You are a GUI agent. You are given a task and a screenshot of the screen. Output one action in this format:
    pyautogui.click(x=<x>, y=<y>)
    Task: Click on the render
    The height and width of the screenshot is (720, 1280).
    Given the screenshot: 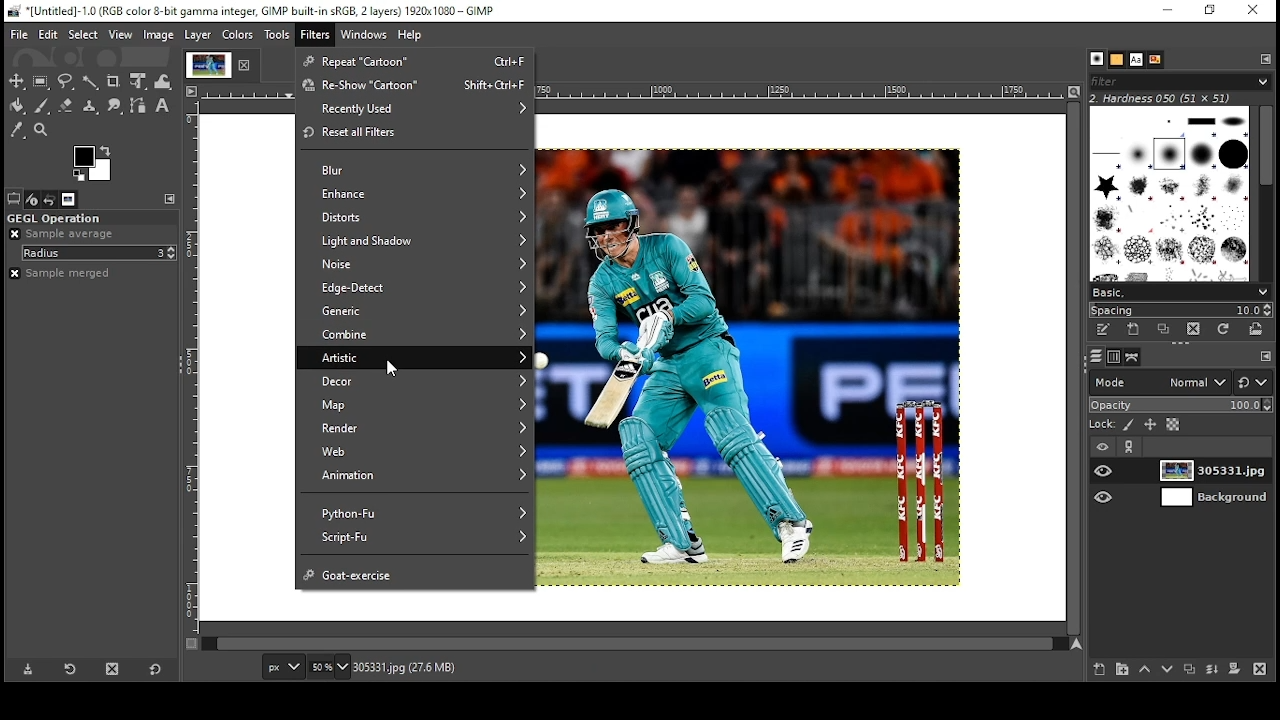 What is the action you would take?
    pyautogui.click(x=416, y=429)
    